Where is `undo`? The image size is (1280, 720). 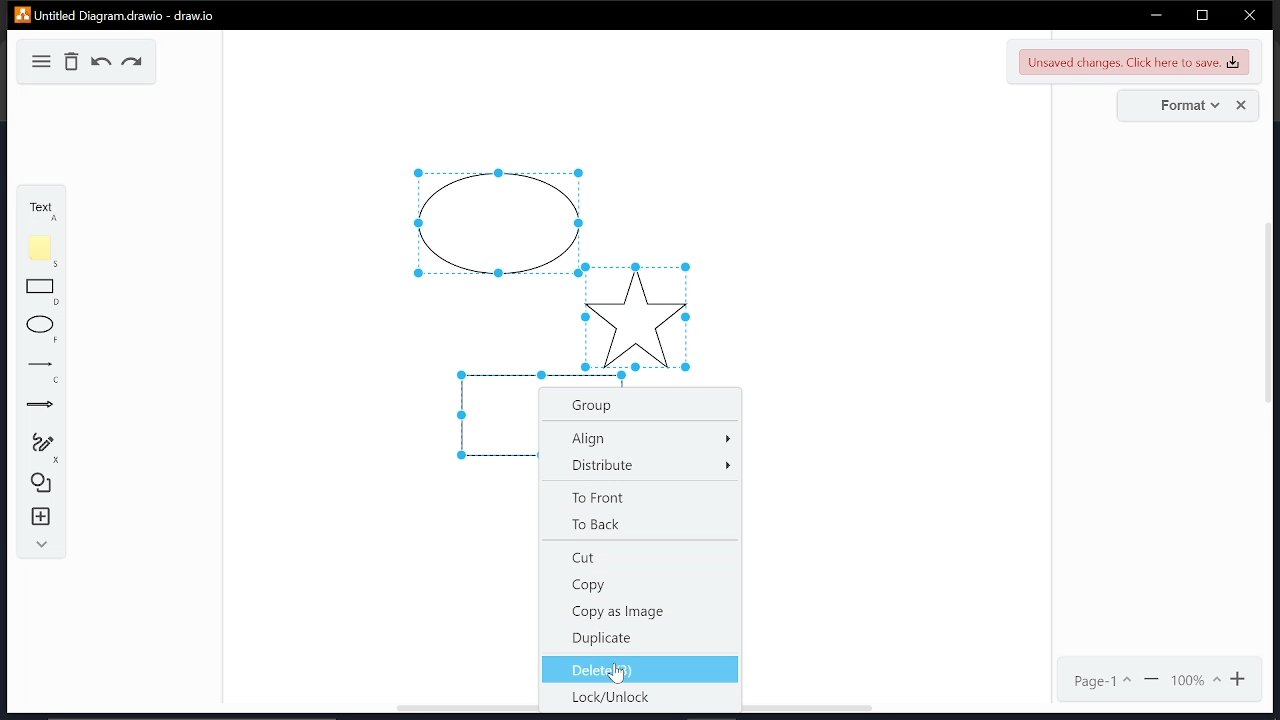
undo is located at coordinates (102, 63).